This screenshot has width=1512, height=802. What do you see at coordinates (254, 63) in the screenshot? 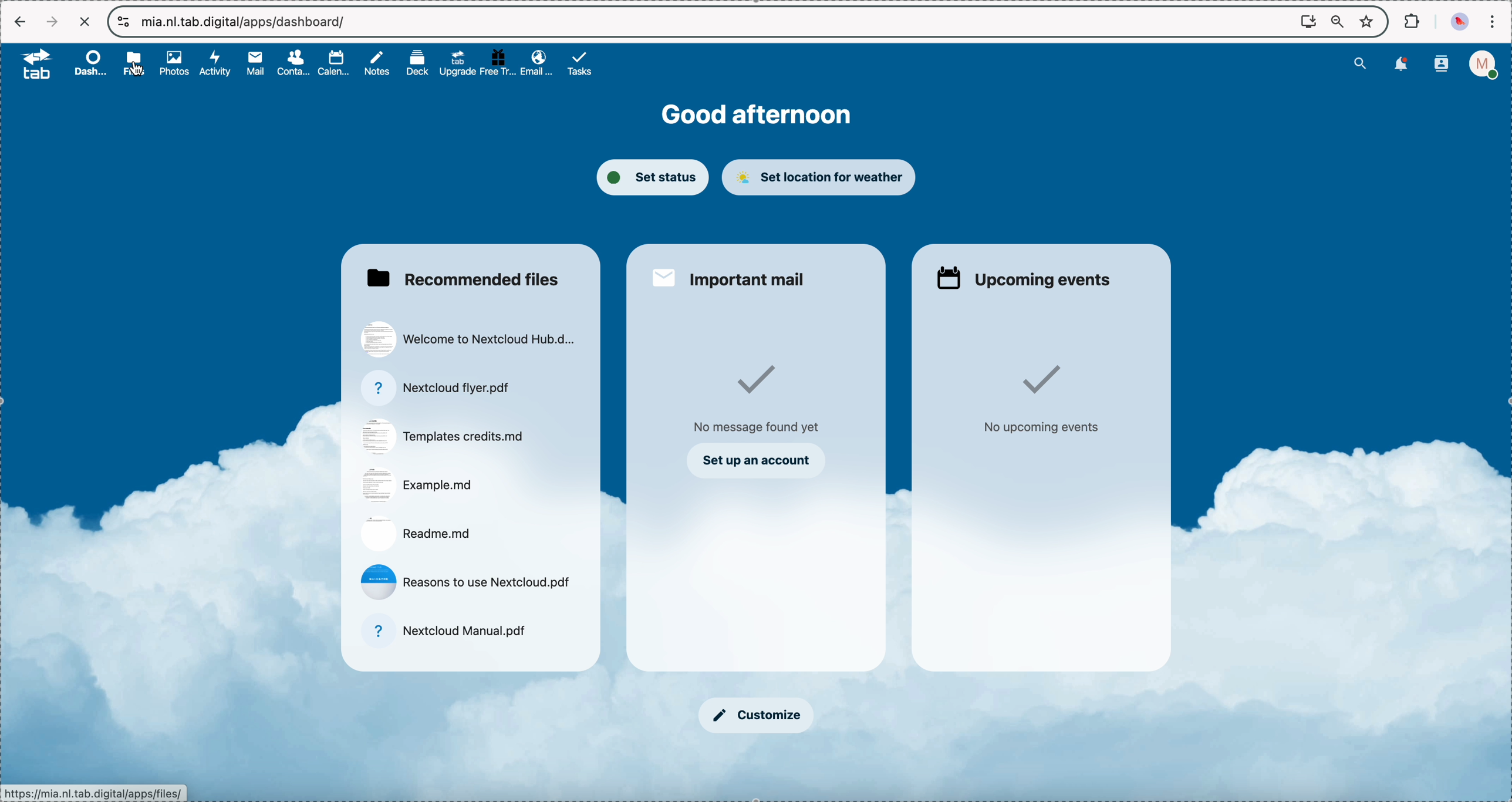
I see `mail` at bounding box center [254, 63].